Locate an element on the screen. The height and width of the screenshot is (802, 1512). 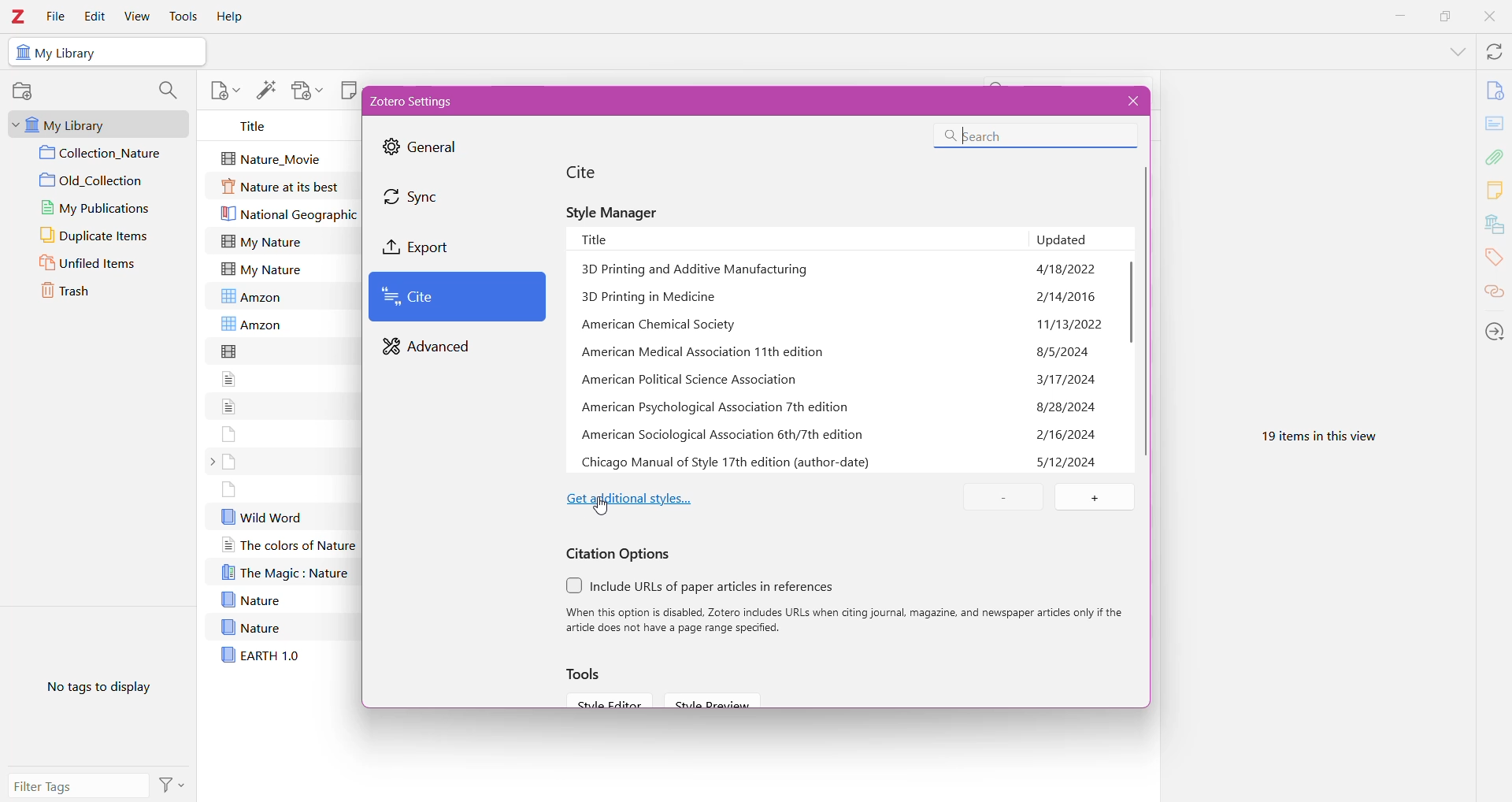
My Library is located at coordinates (71, 54).